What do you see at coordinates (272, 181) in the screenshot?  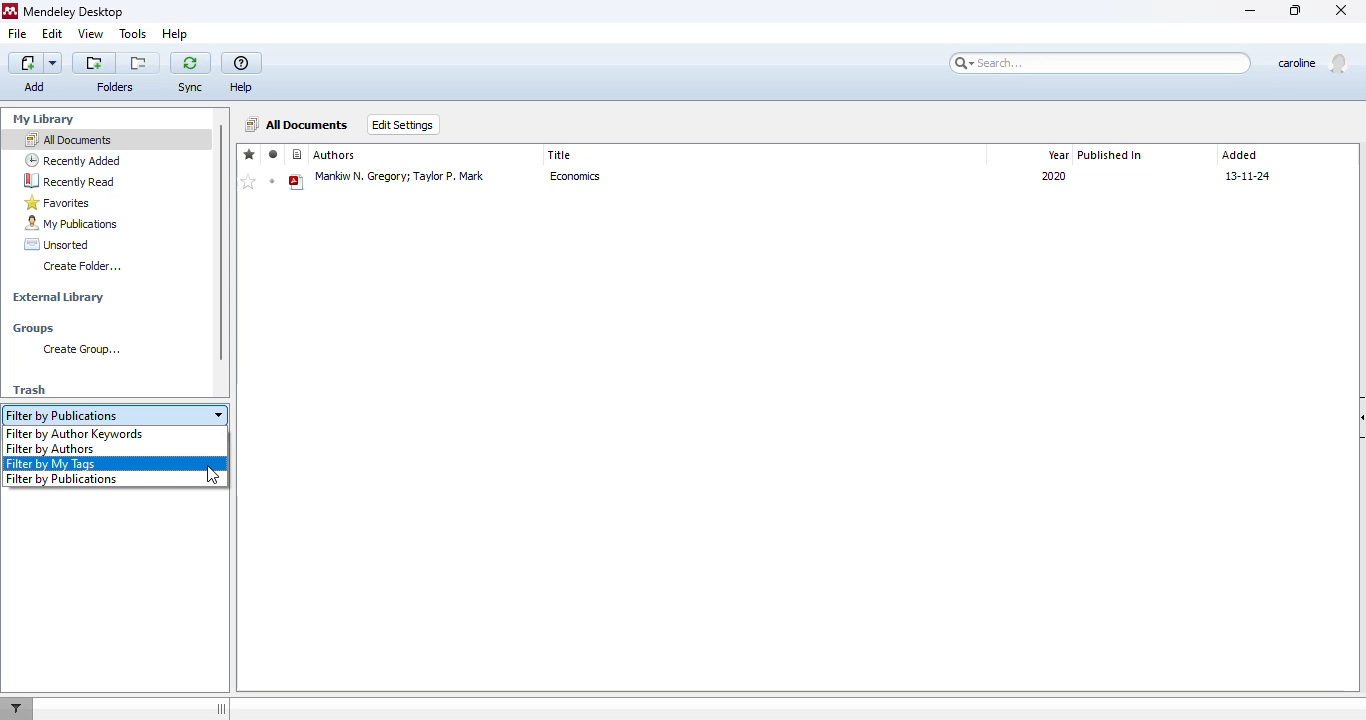 I see `mark as unread` at bounding box center [272, 181].